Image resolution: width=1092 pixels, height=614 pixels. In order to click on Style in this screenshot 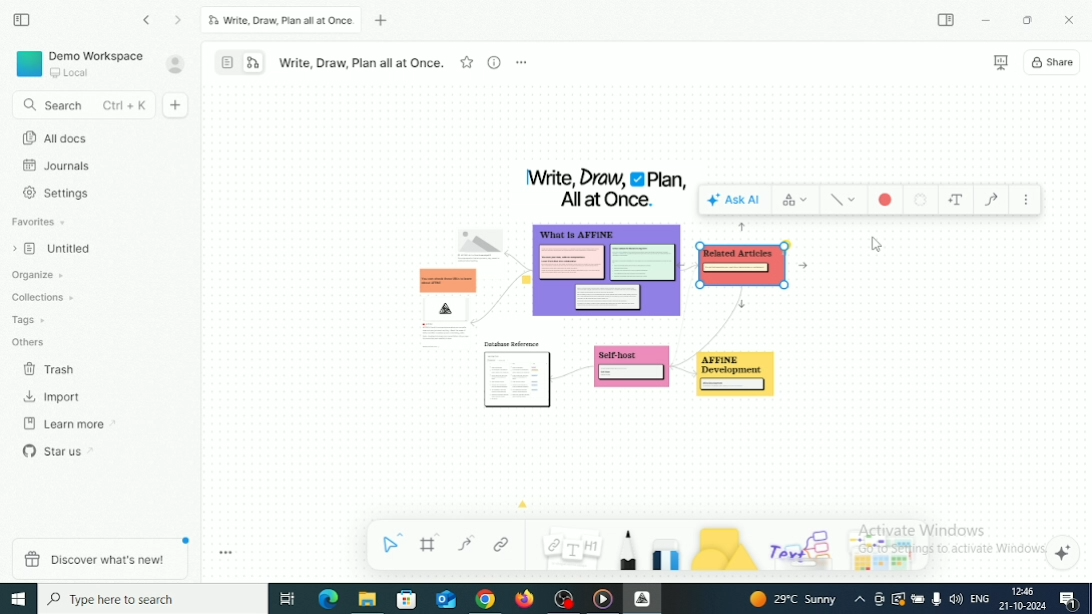, I will do `click(844, 200)`.